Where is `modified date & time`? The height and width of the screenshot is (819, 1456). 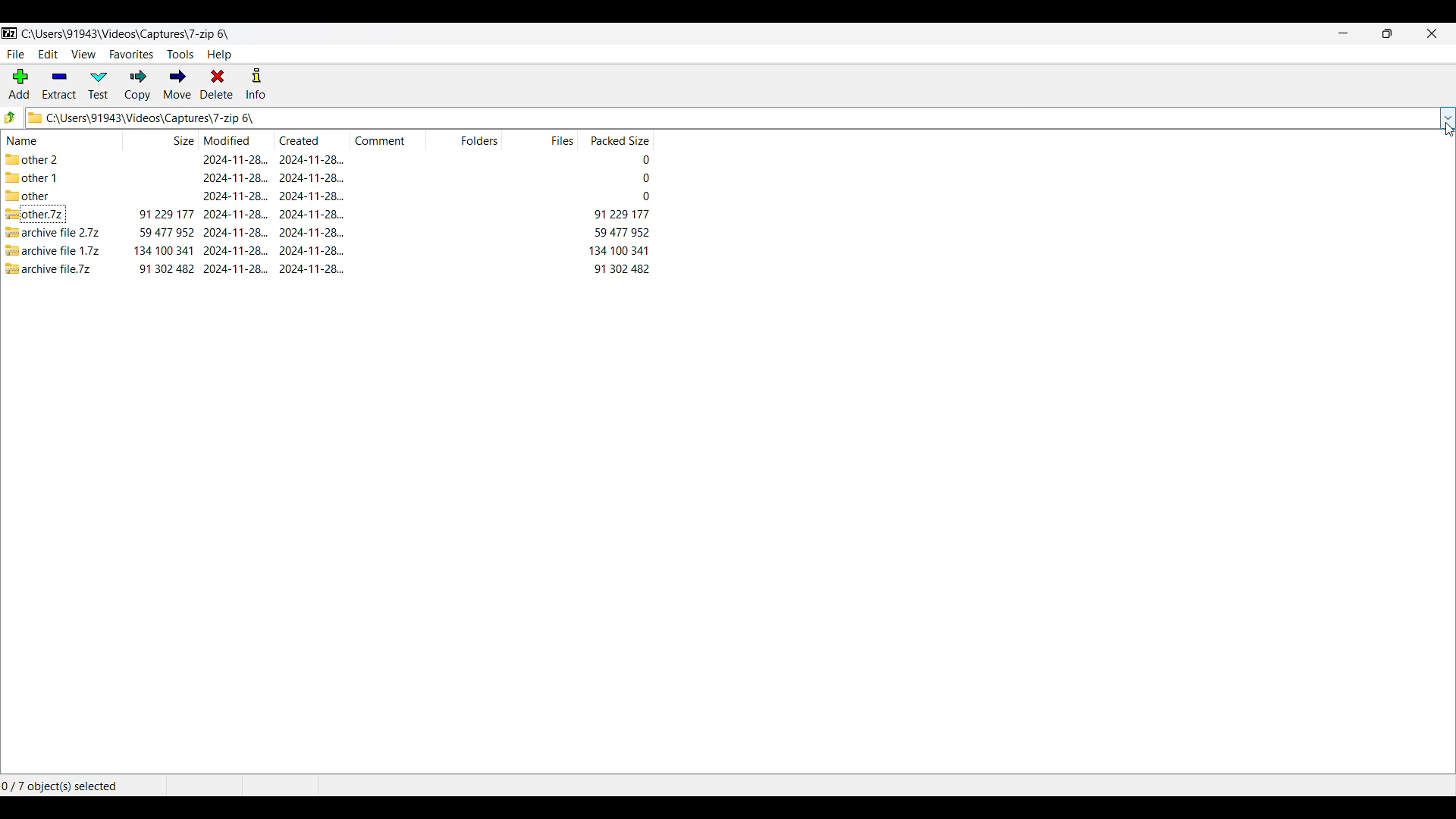
modified date & time is located at coordinates (237, 268).